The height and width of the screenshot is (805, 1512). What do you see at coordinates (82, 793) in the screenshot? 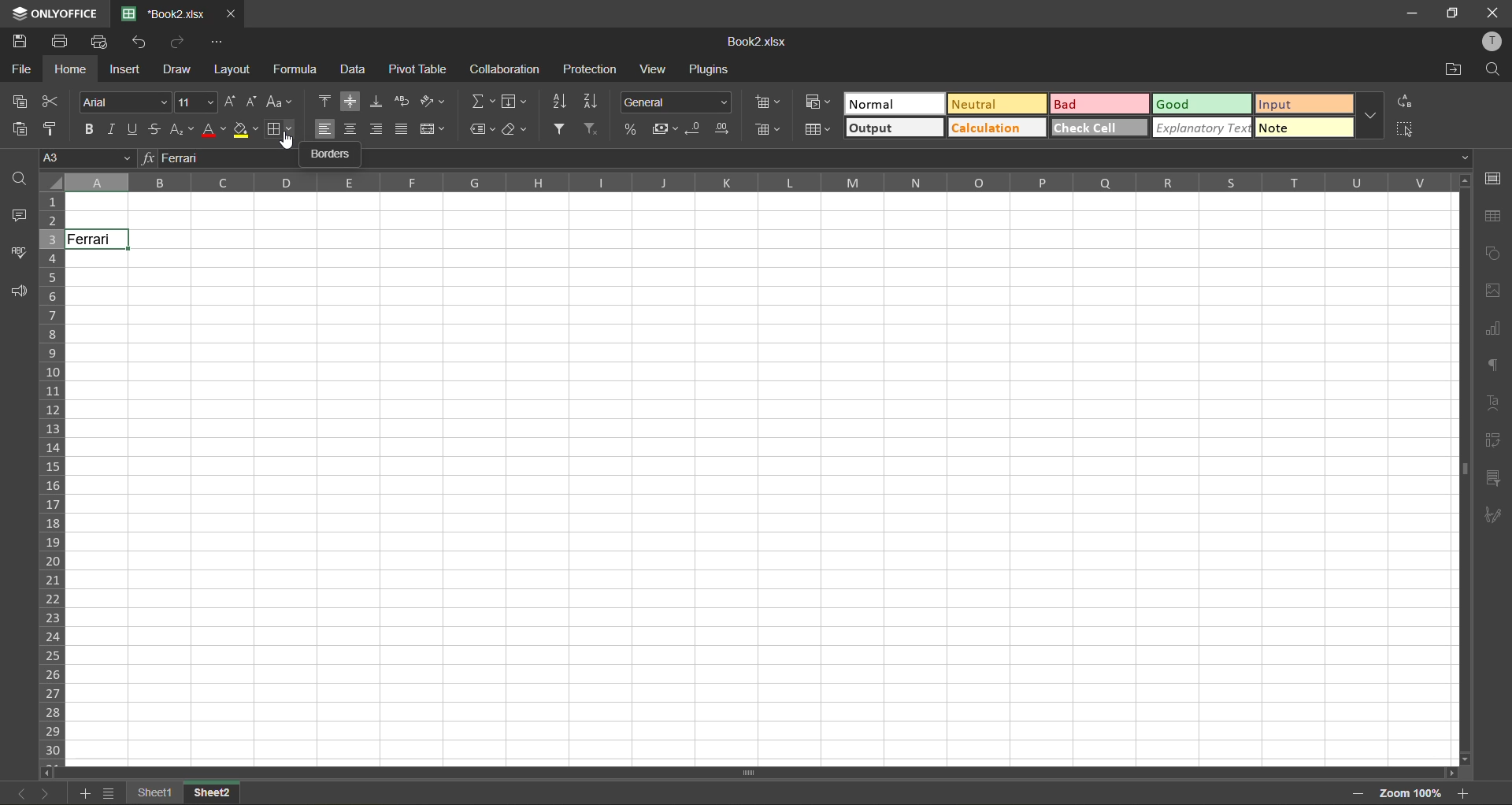
I see `add sheet` at bounding box center [82, 793].